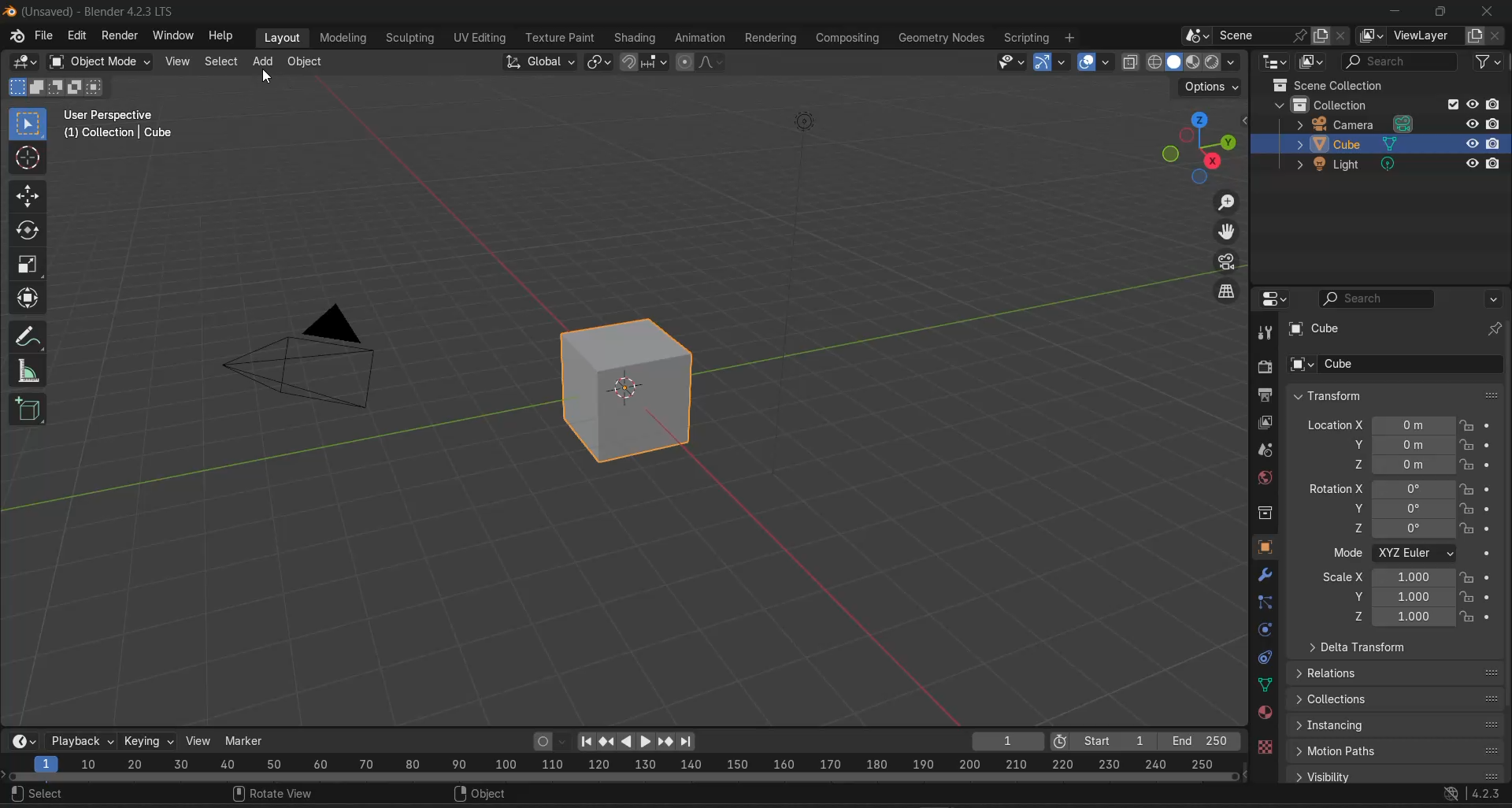 The height and width of the screenshot is (808, 1512). I want to click on select box, so click(28, 122).